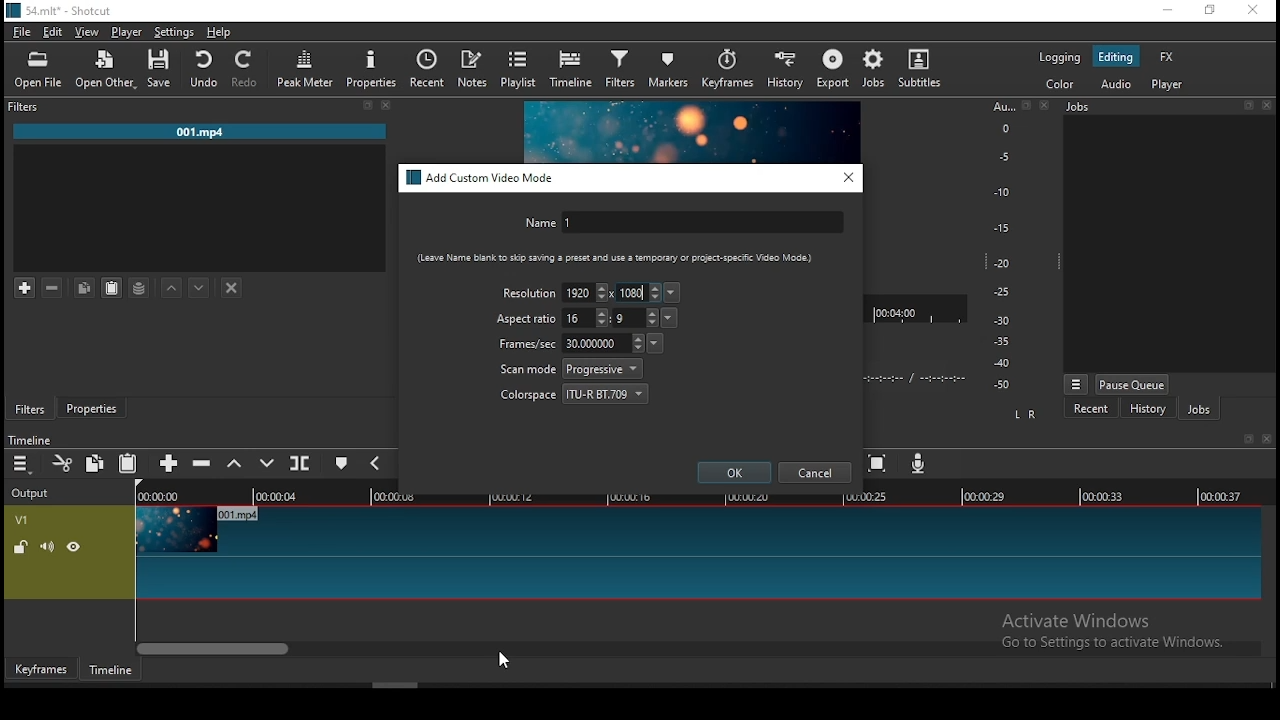 Image resolution: width=1280 pixels, height=720 pixels. Describe the element at coordinates (575, 392) in the screenshot. I see `colorspace` at that location.